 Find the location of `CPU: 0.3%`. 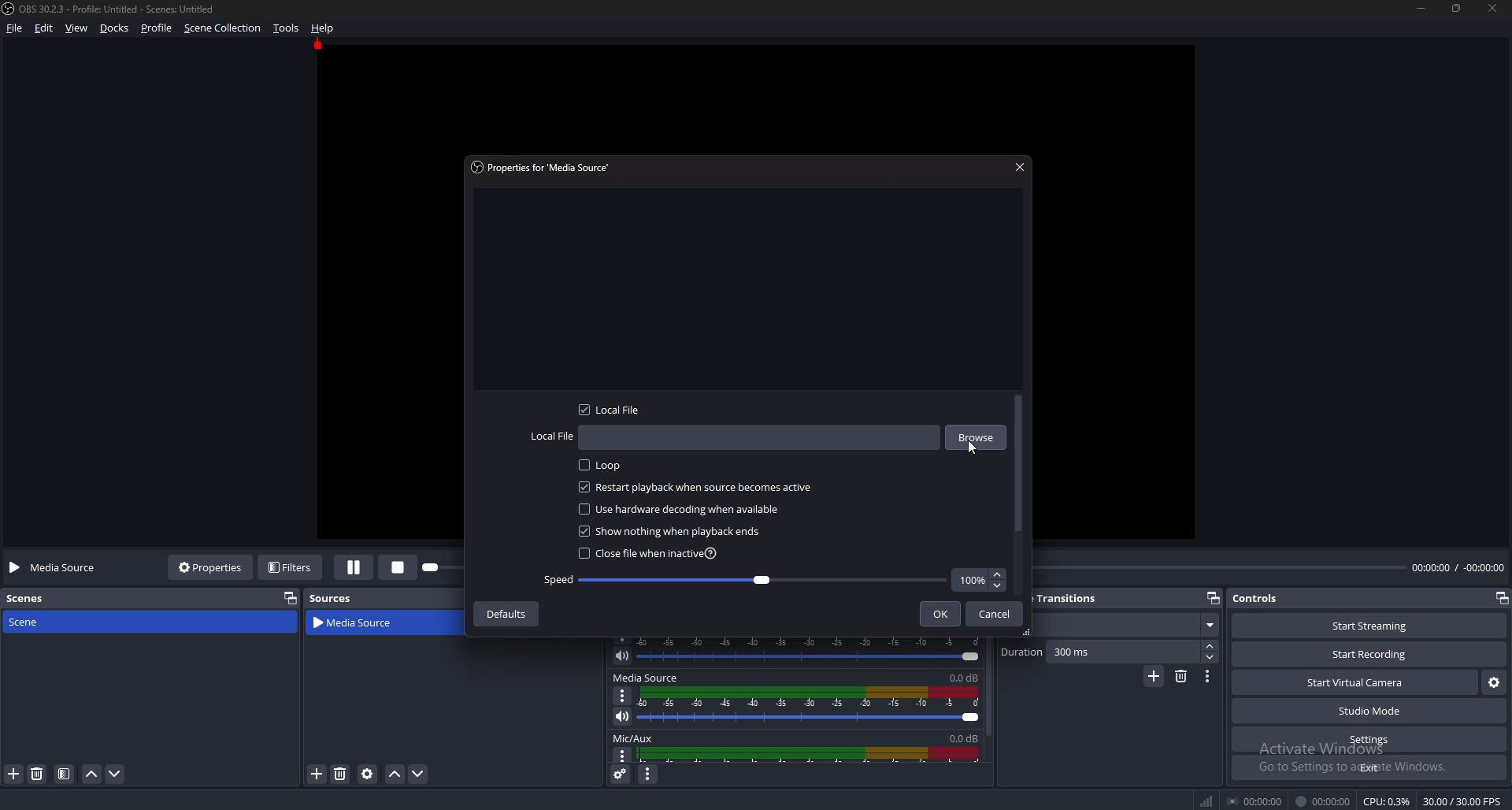

CPU: 0.3% is located at coordinates (1386, 801).